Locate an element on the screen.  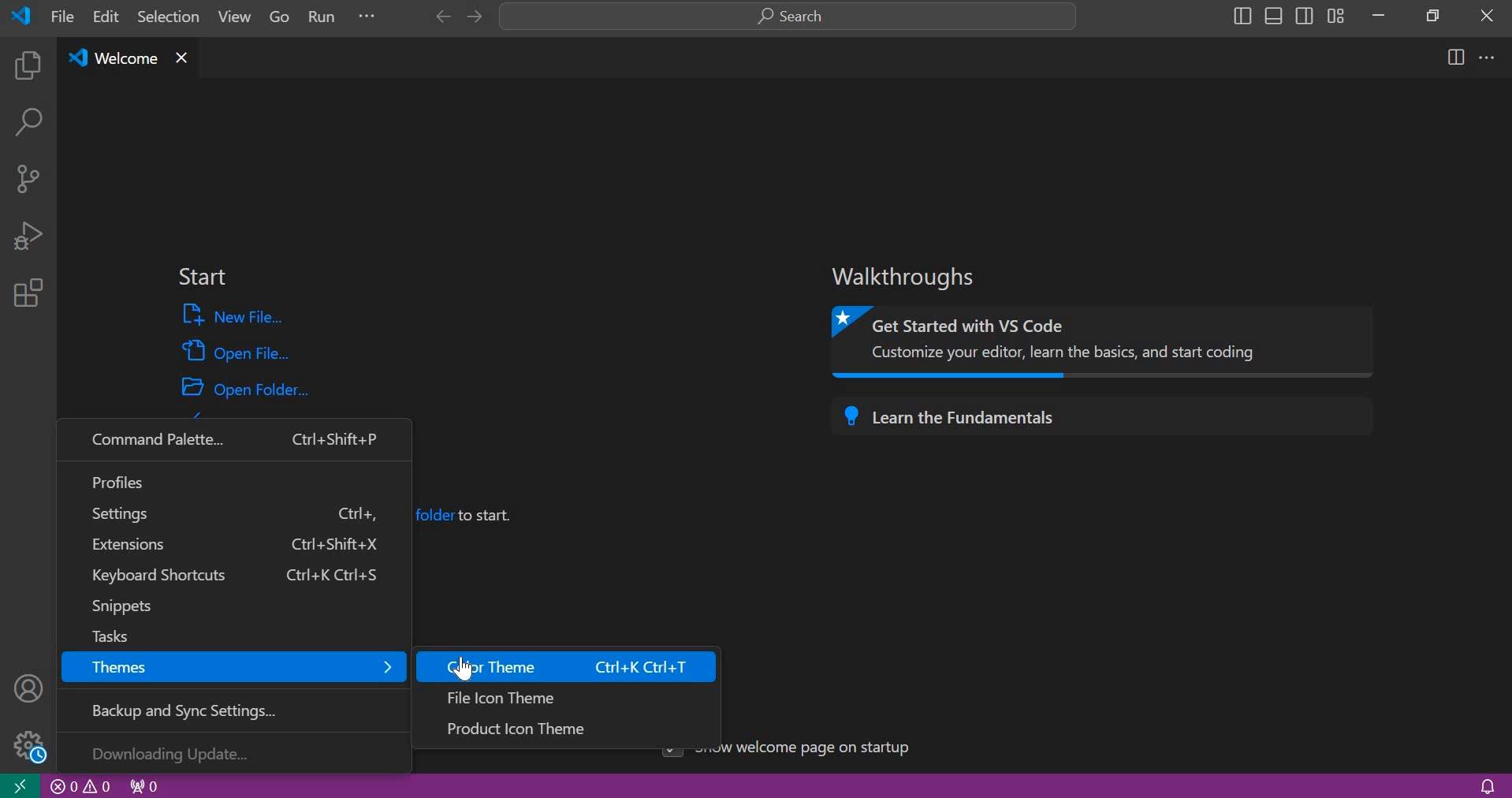
search is located at coordinates (788, 17).